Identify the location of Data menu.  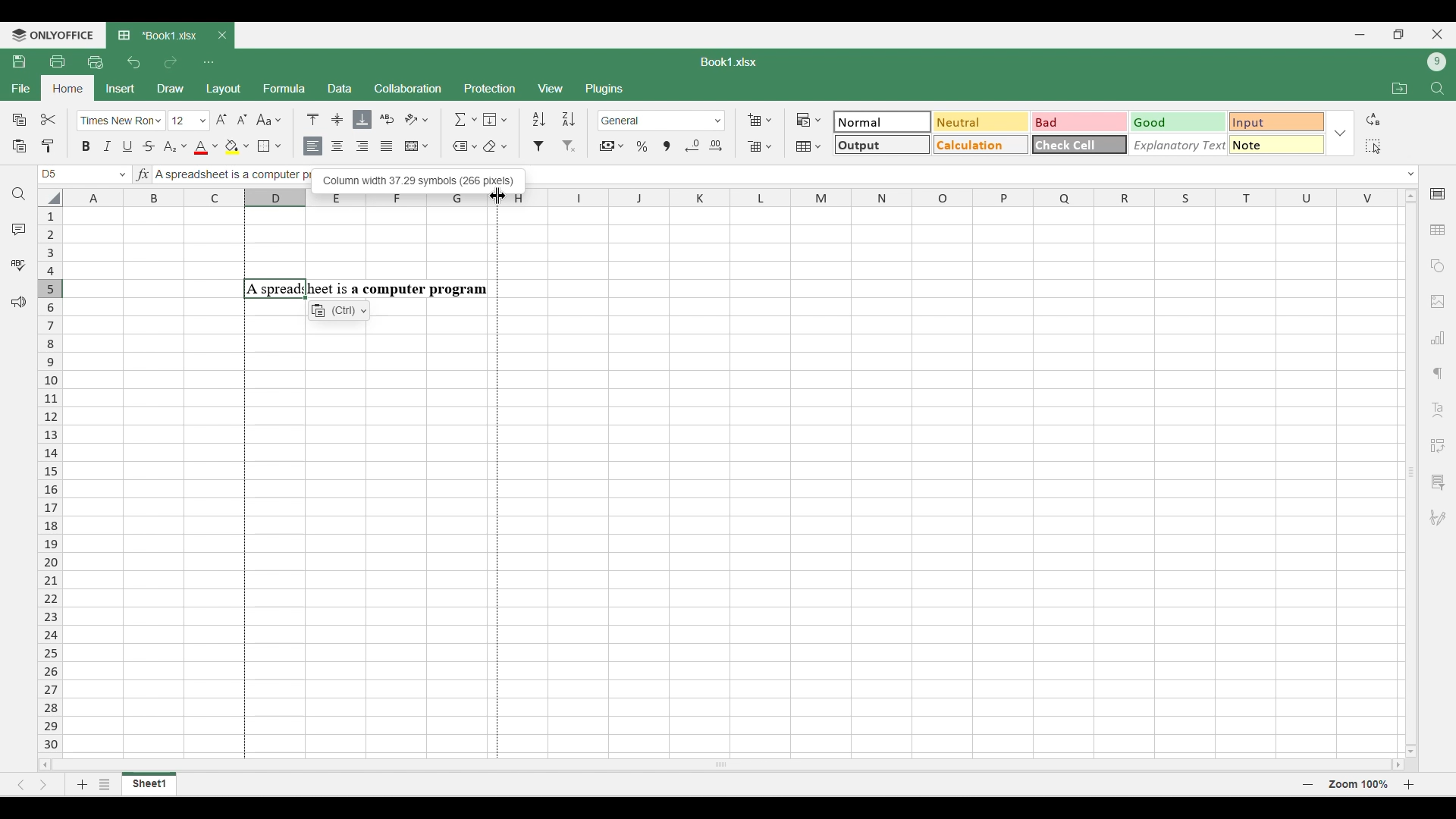
(340, 87).